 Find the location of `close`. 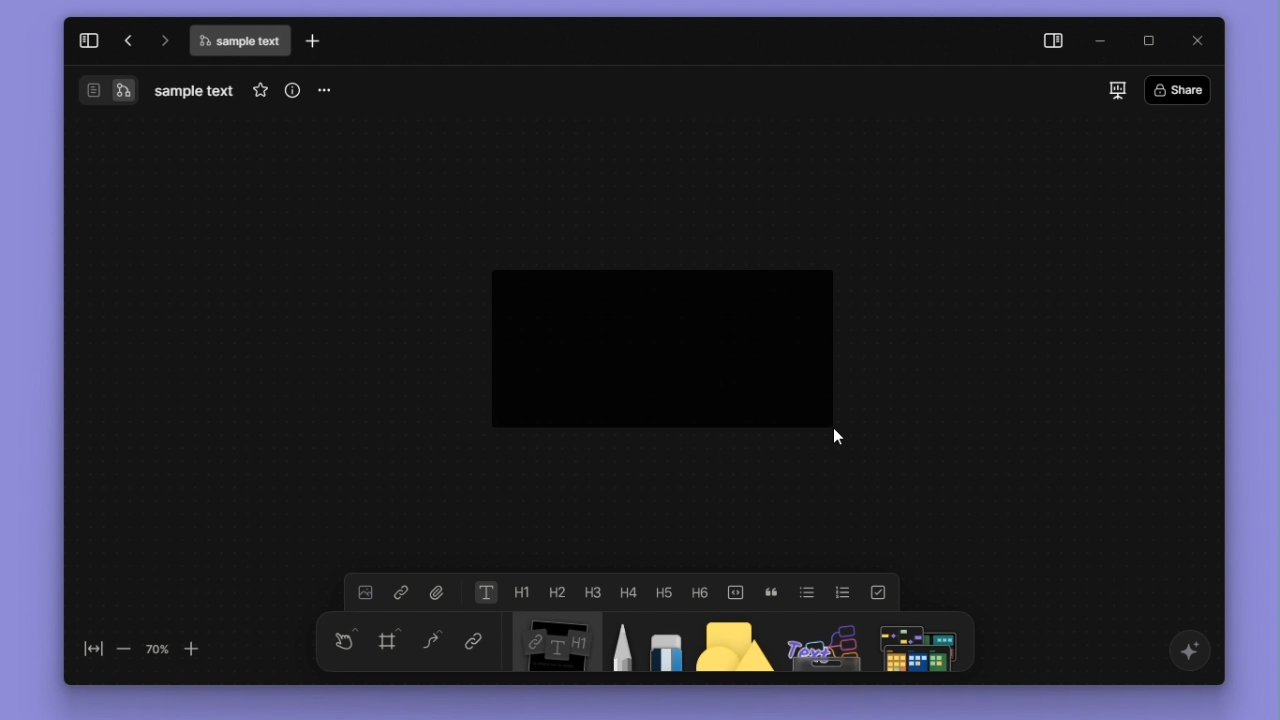

close is located at coordinates (1194, 40).